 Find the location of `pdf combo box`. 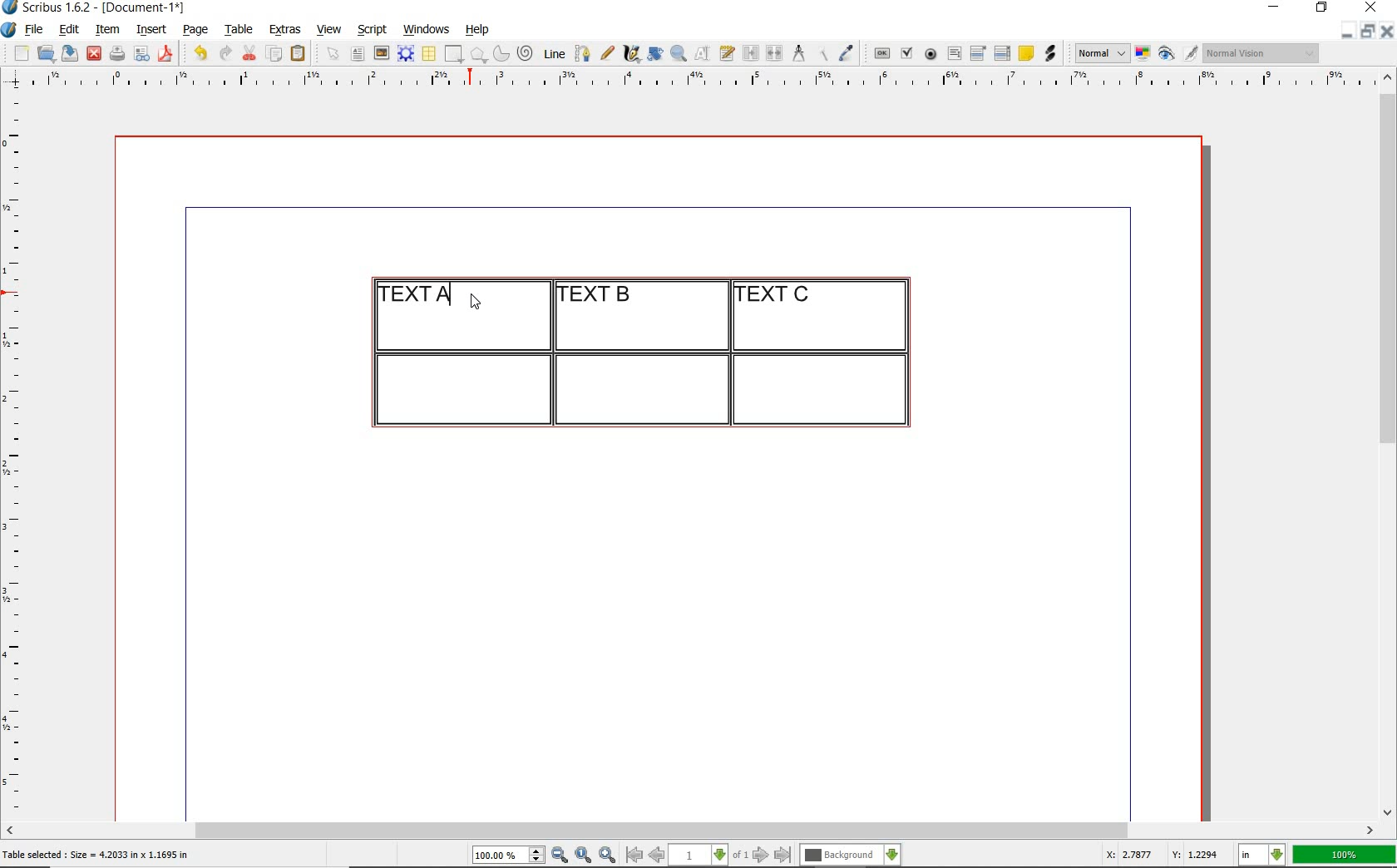

pdf combo box is located at coordinates (979, 52).